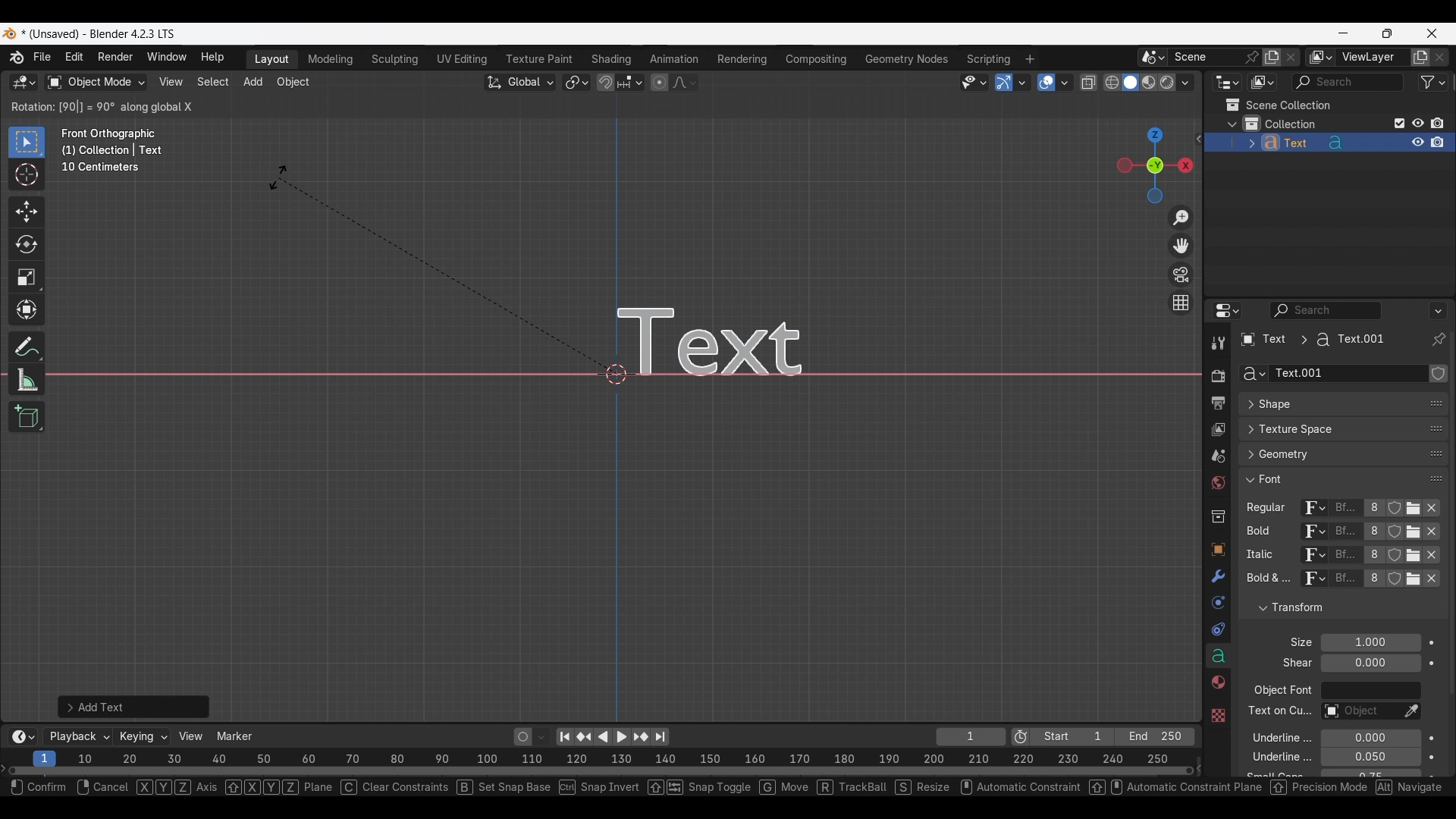  What do you see at coordinates (1440, 57) in the screenshot?
I see `Remove view layer` at bounding box center [1440, 57].